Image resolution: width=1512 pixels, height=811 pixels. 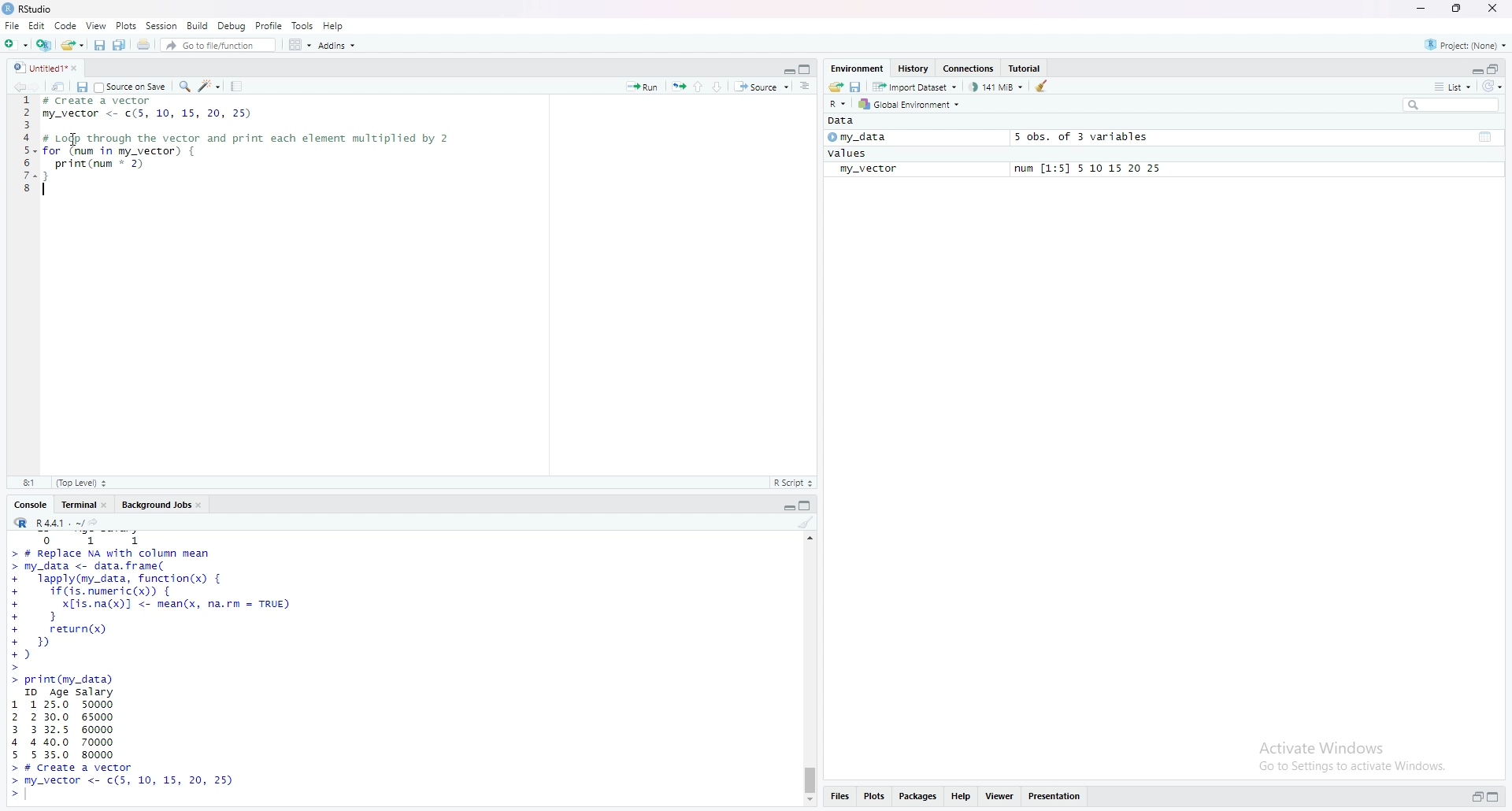 I want to click on go to previous section, so click(x=698, y=86).